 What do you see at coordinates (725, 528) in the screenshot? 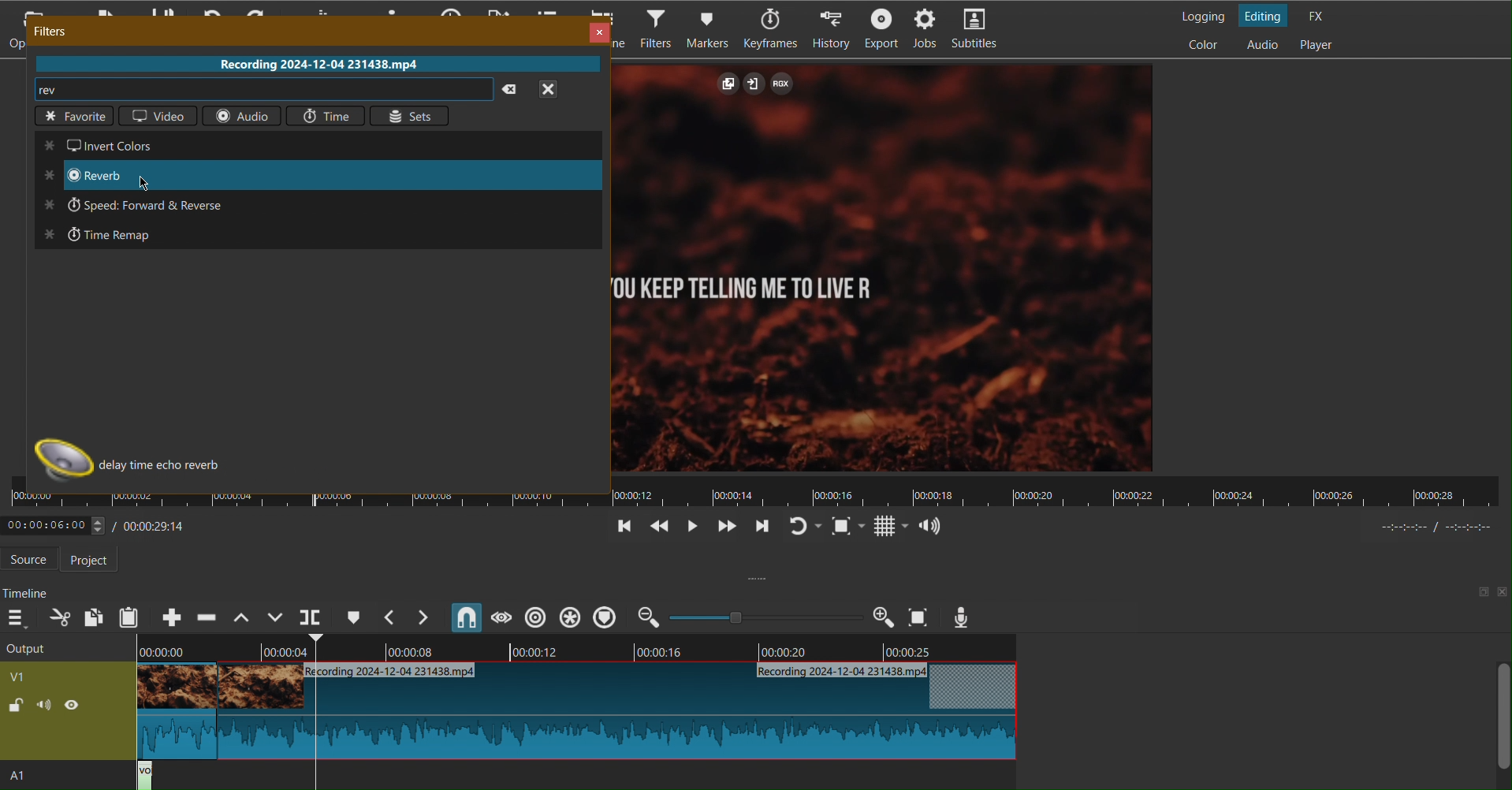
I see `Move Forwards` at bounding box center [725, 528].